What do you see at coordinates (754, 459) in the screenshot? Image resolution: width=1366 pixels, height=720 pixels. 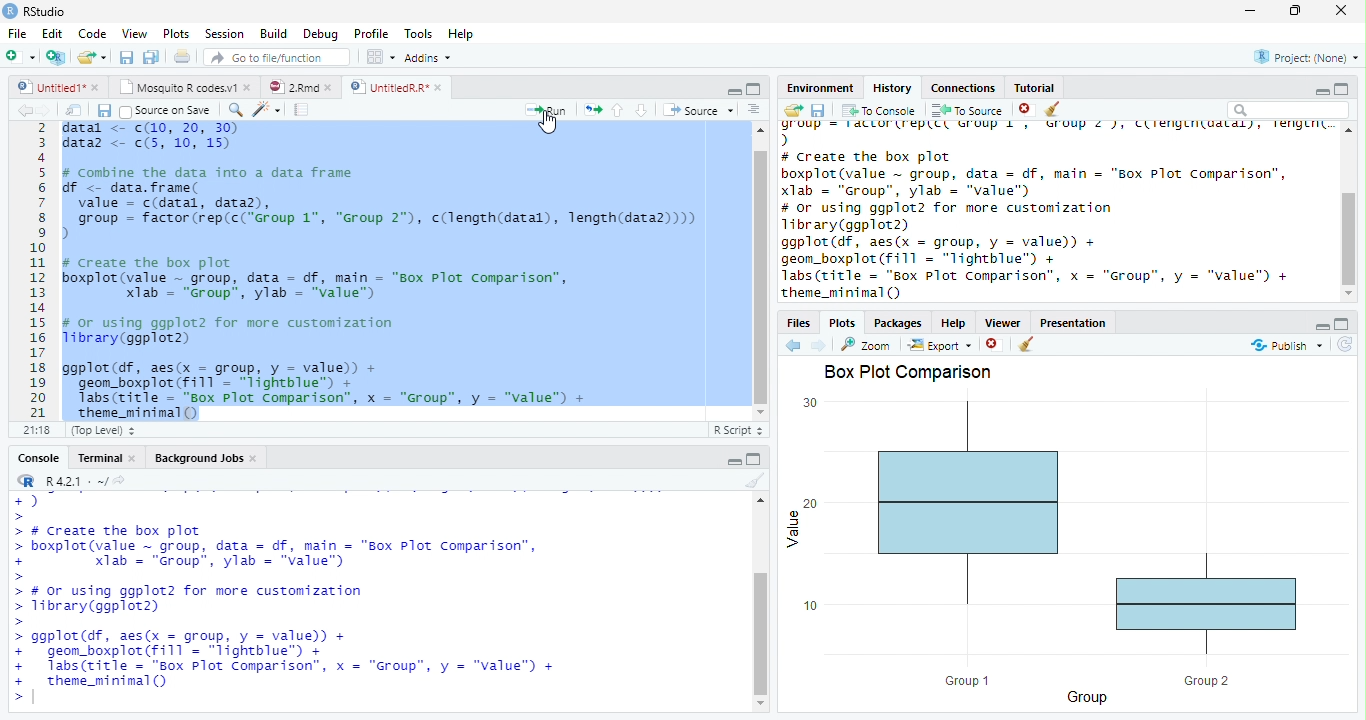 I see `Maximize` at bounding box center [754, 459].